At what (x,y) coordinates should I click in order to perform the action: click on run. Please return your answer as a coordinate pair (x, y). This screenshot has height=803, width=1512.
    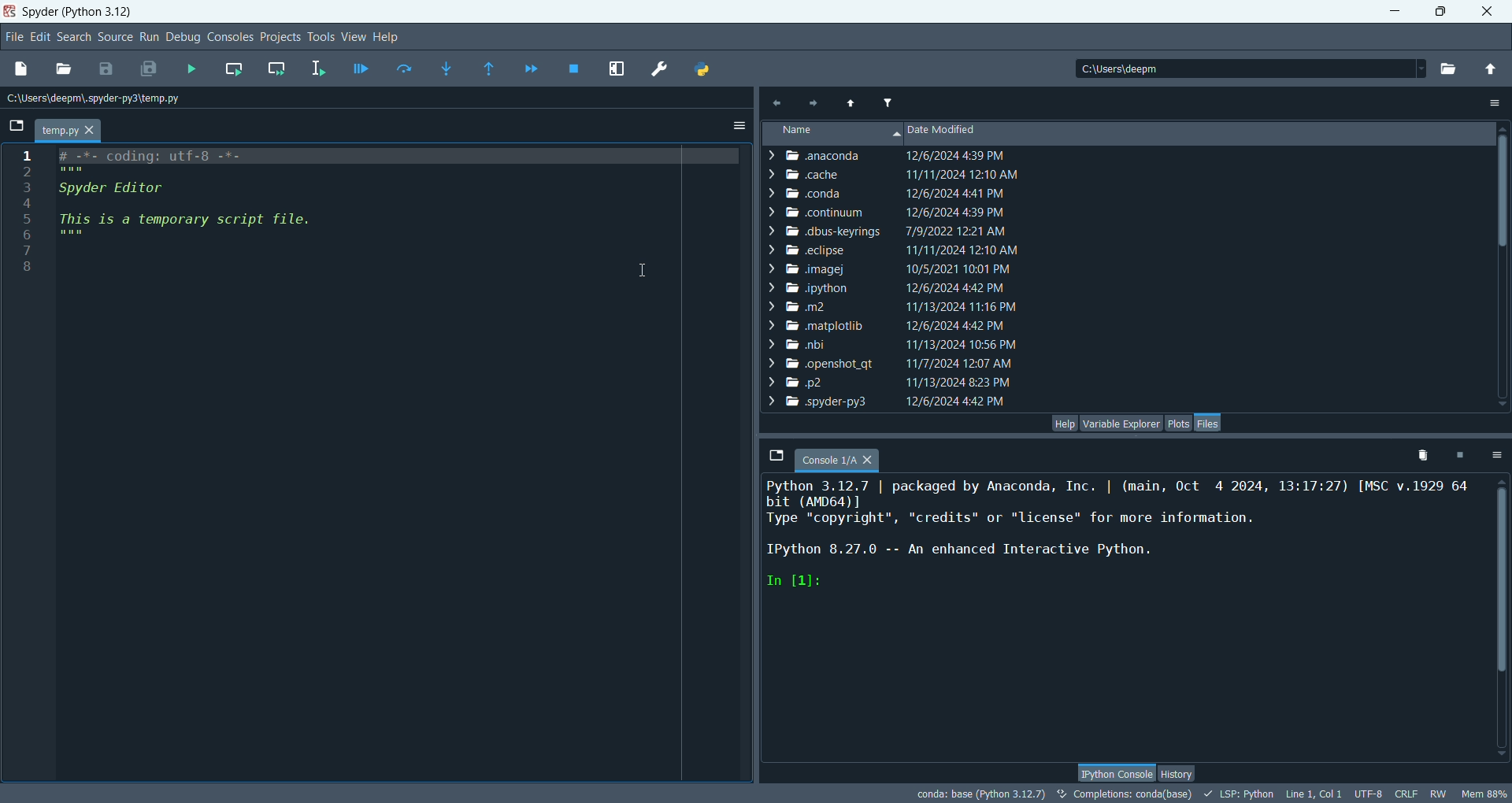
    Looking at the image, I should click on (150, 38).